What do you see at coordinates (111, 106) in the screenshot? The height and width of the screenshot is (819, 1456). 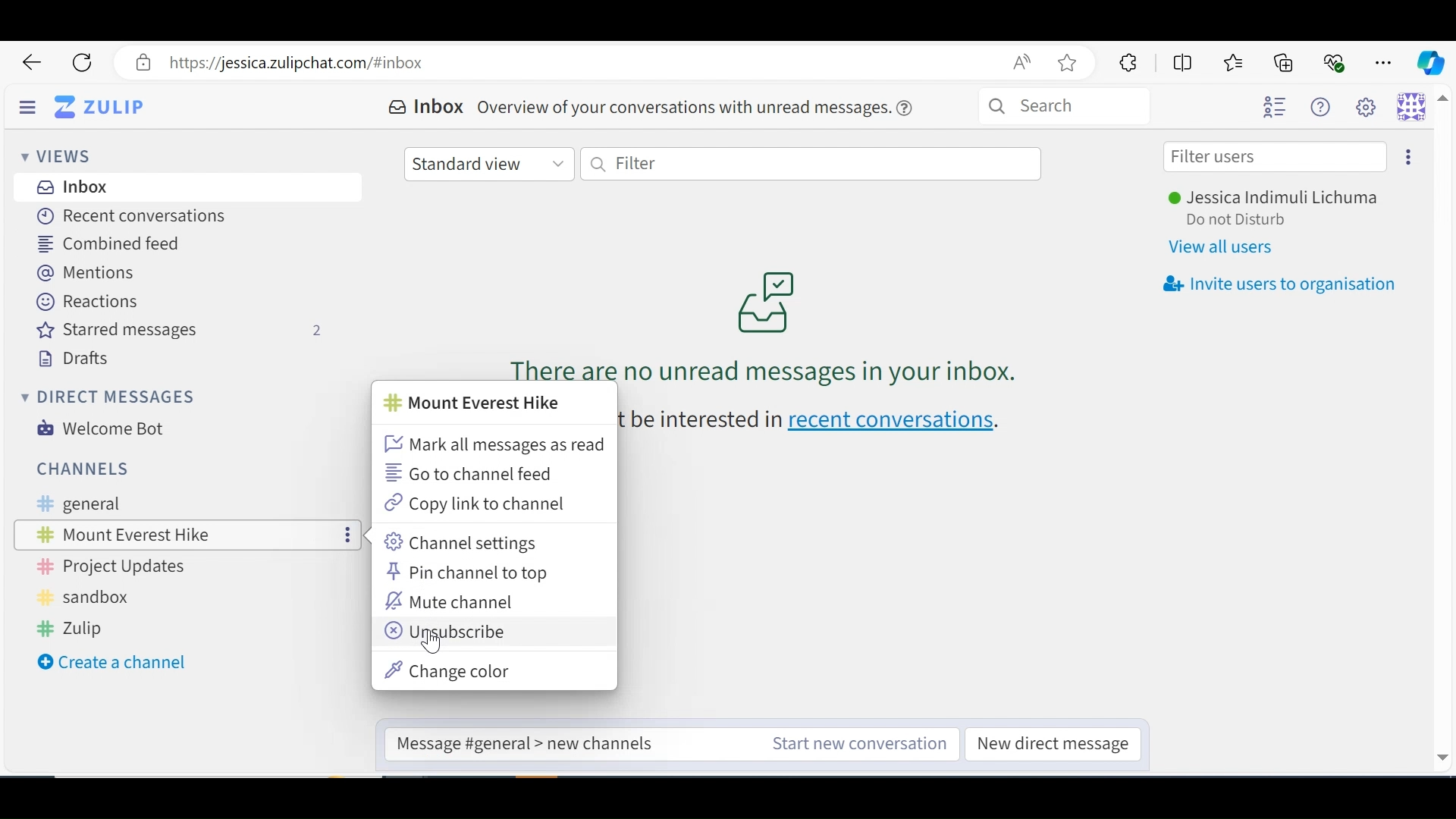 I see `Go to Home view` at bounding box center [111, 106].